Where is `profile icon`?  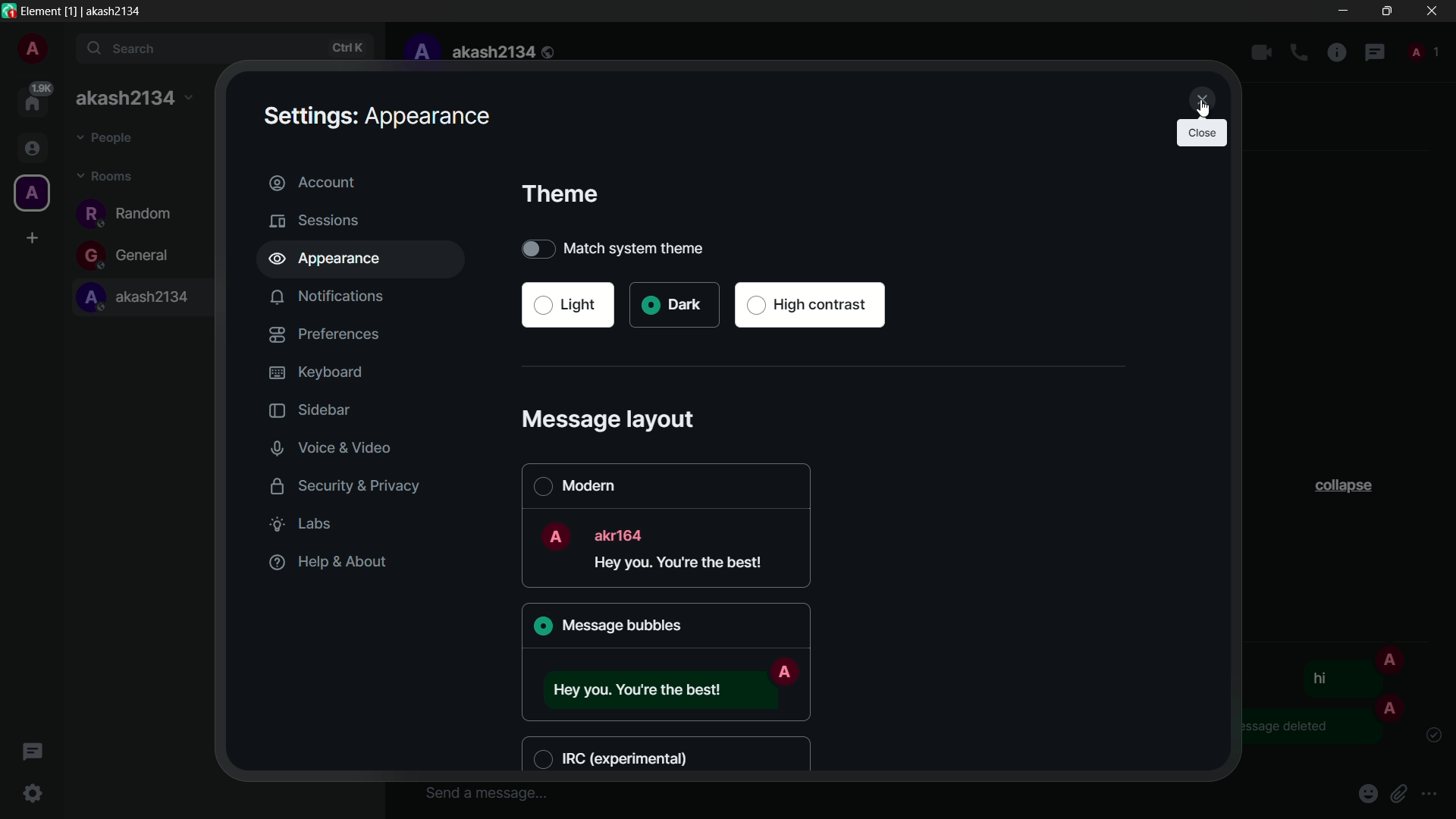 profile icon is located at coordinates (554, 536).